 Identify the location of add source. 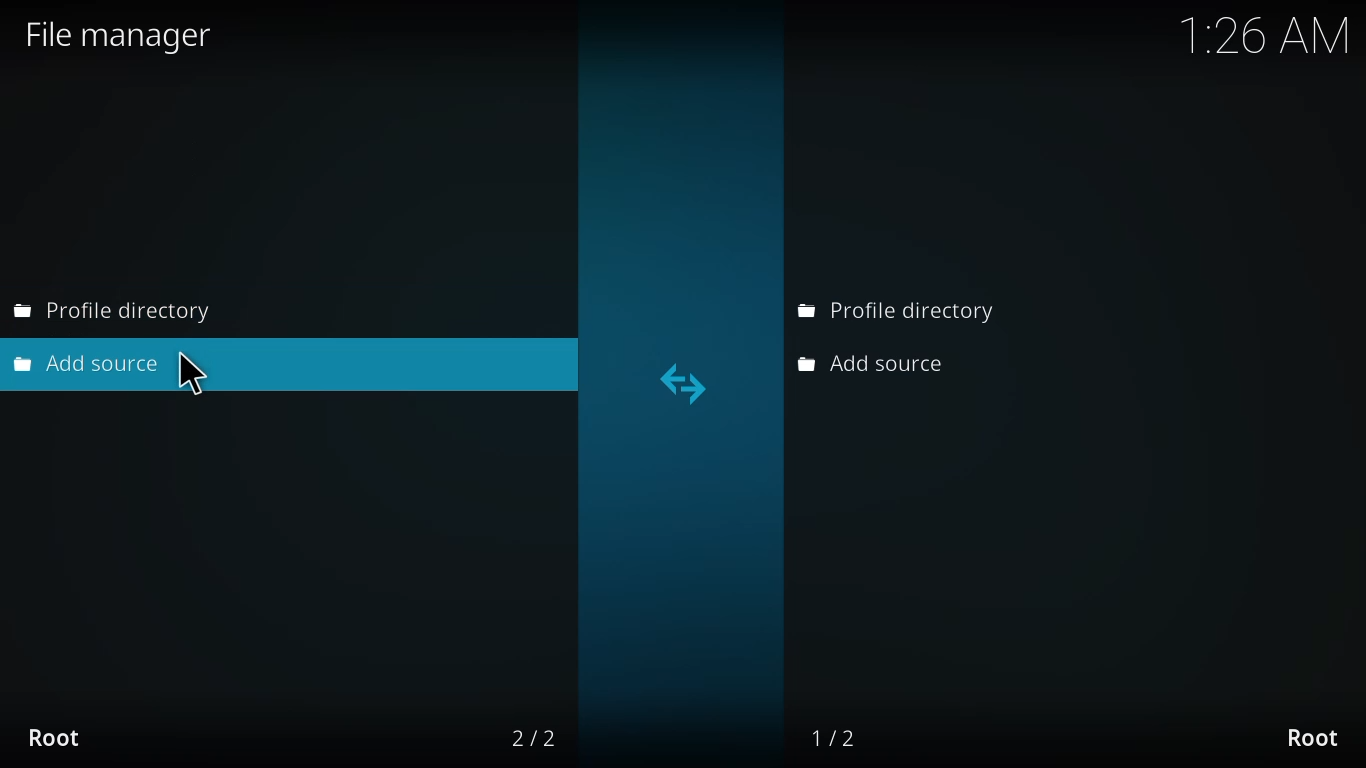
(882, 362).